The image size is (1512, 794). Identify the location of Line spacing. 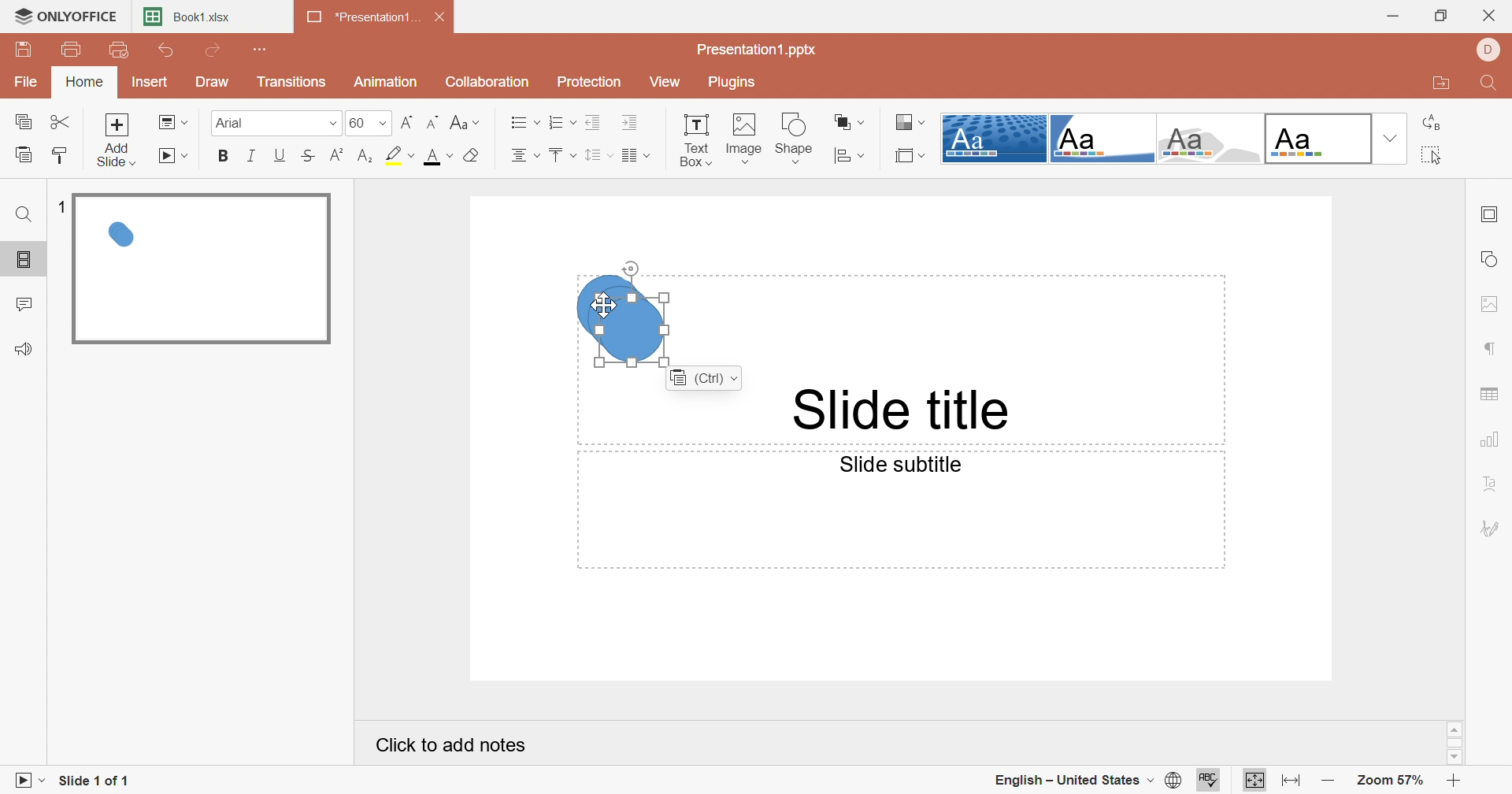
(598, 156).